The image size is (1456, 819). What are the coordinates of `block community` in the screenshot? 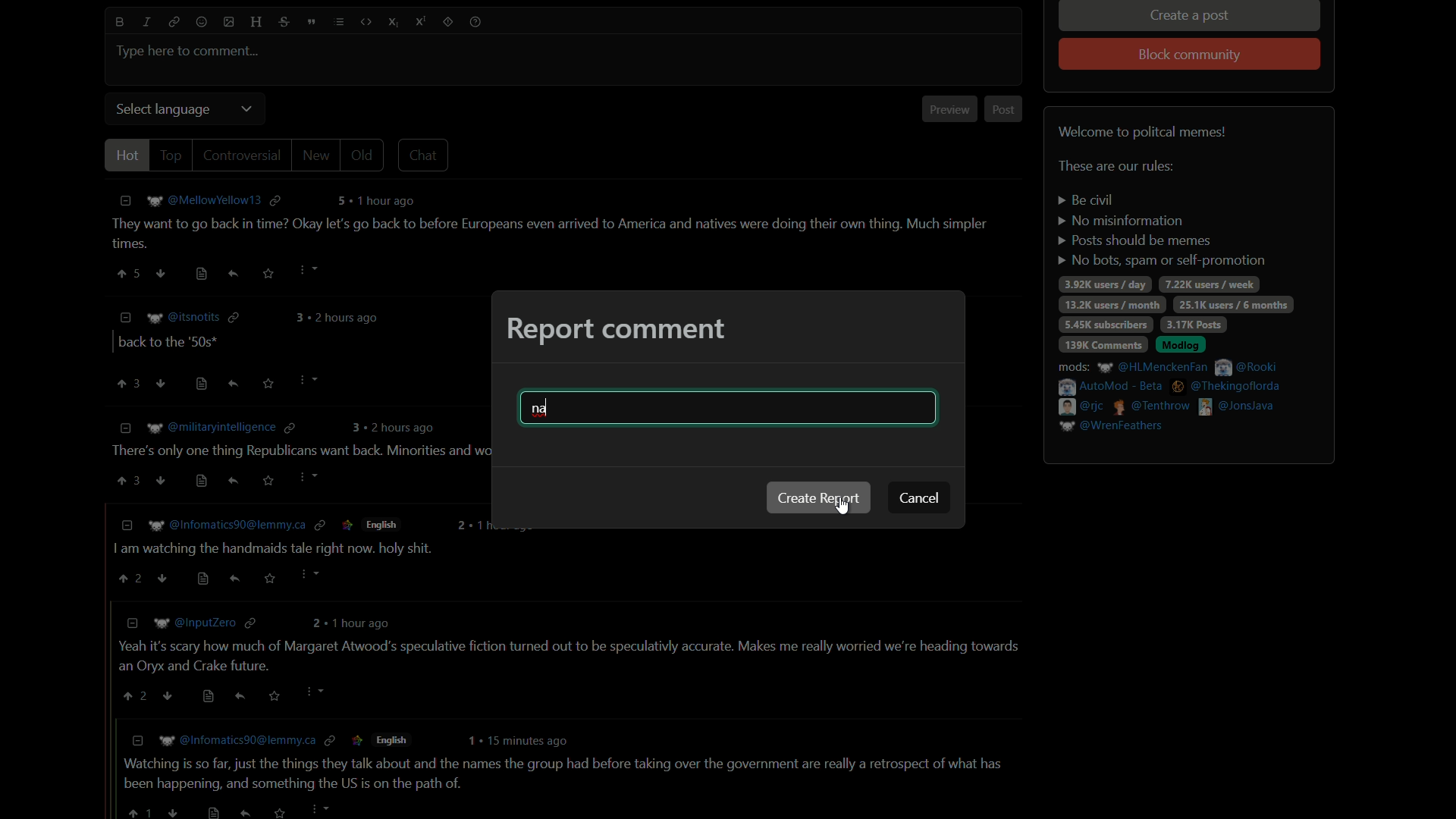 It's located at (1191, 55).